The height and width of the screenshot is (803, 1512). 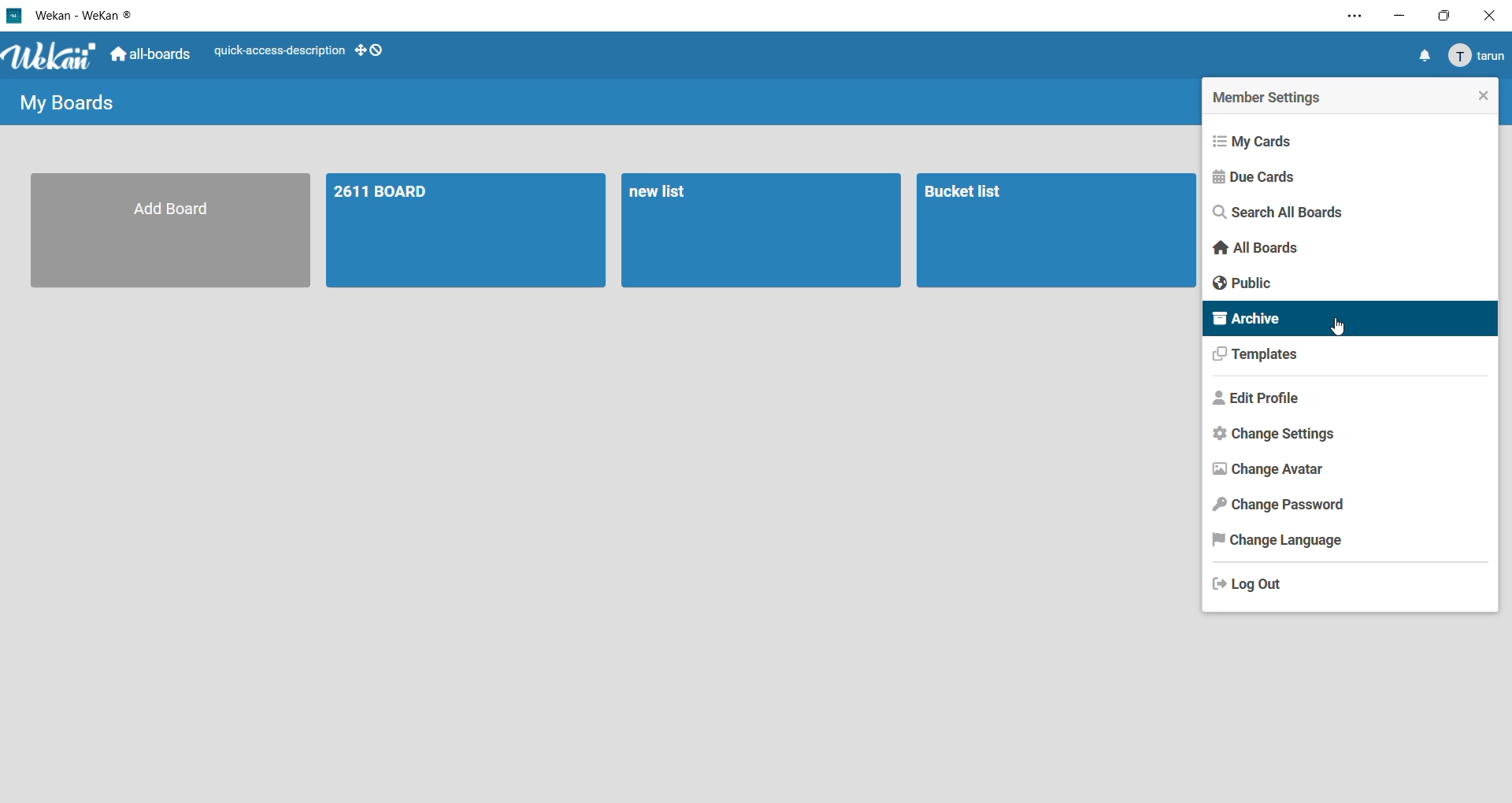 What do you see at coordinates (1481, 97) in the screenshot?
I see `close` at bounding box center [1481, 97].